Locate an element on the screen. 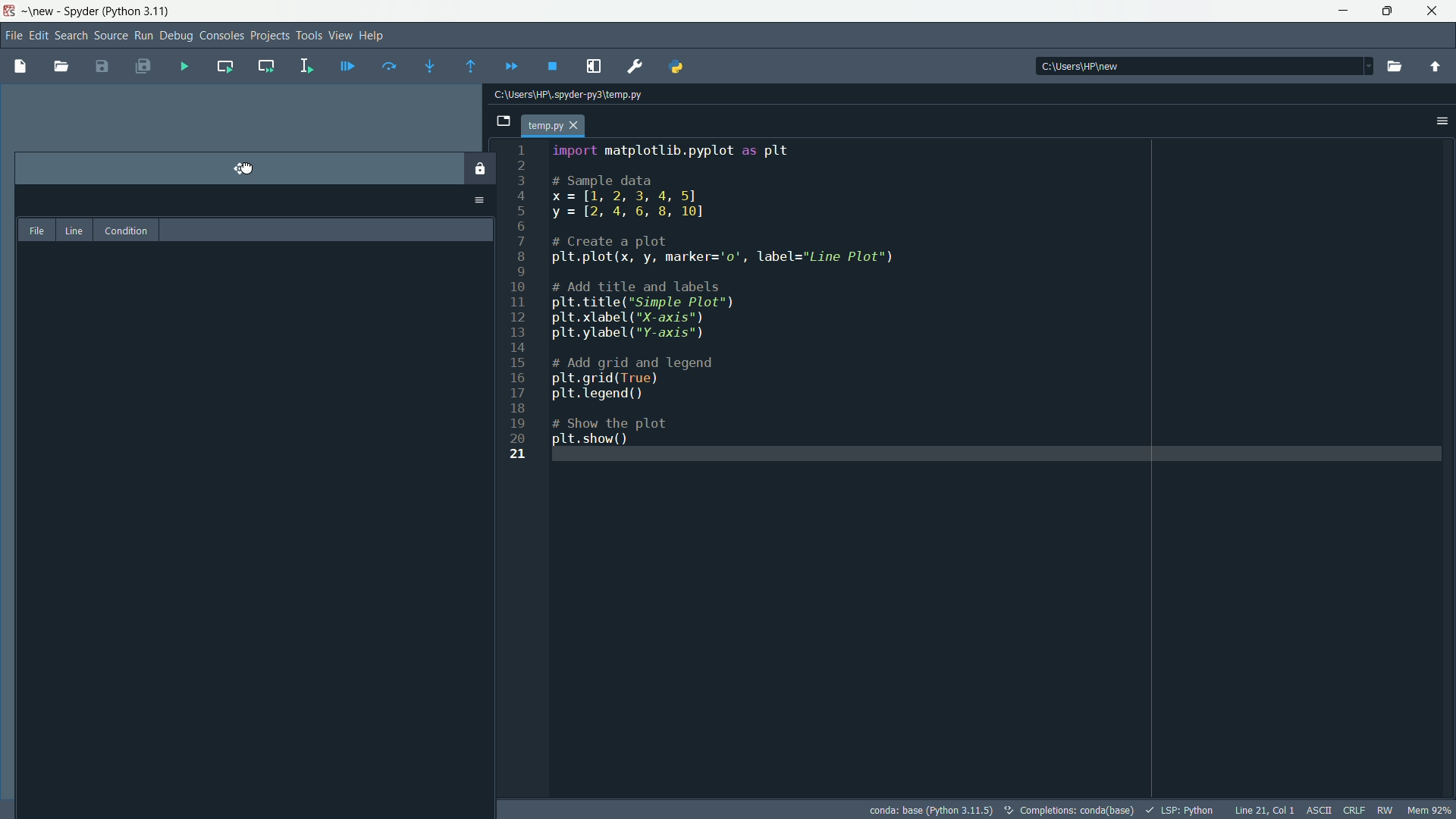 This screenshot has height=819, width=1456. import matplotlib.pyplot as plt
# Sample data

x=1[1, 2, 3, 4, 5]

y = [2, 4, 6, 8, 10]

# Create a plot

plt.plot(x, y, marker='o0', label="Line Plot")
# Add title and labels
plt.title("Simple Plot")
plt.xlabel ("X-axis")

plt.ylabel ("Y-axis")

# Add grid and legend
plt.grid(True)

plt.legend()

# Show the plot

plt.show() is located at coordinates (739, 294).